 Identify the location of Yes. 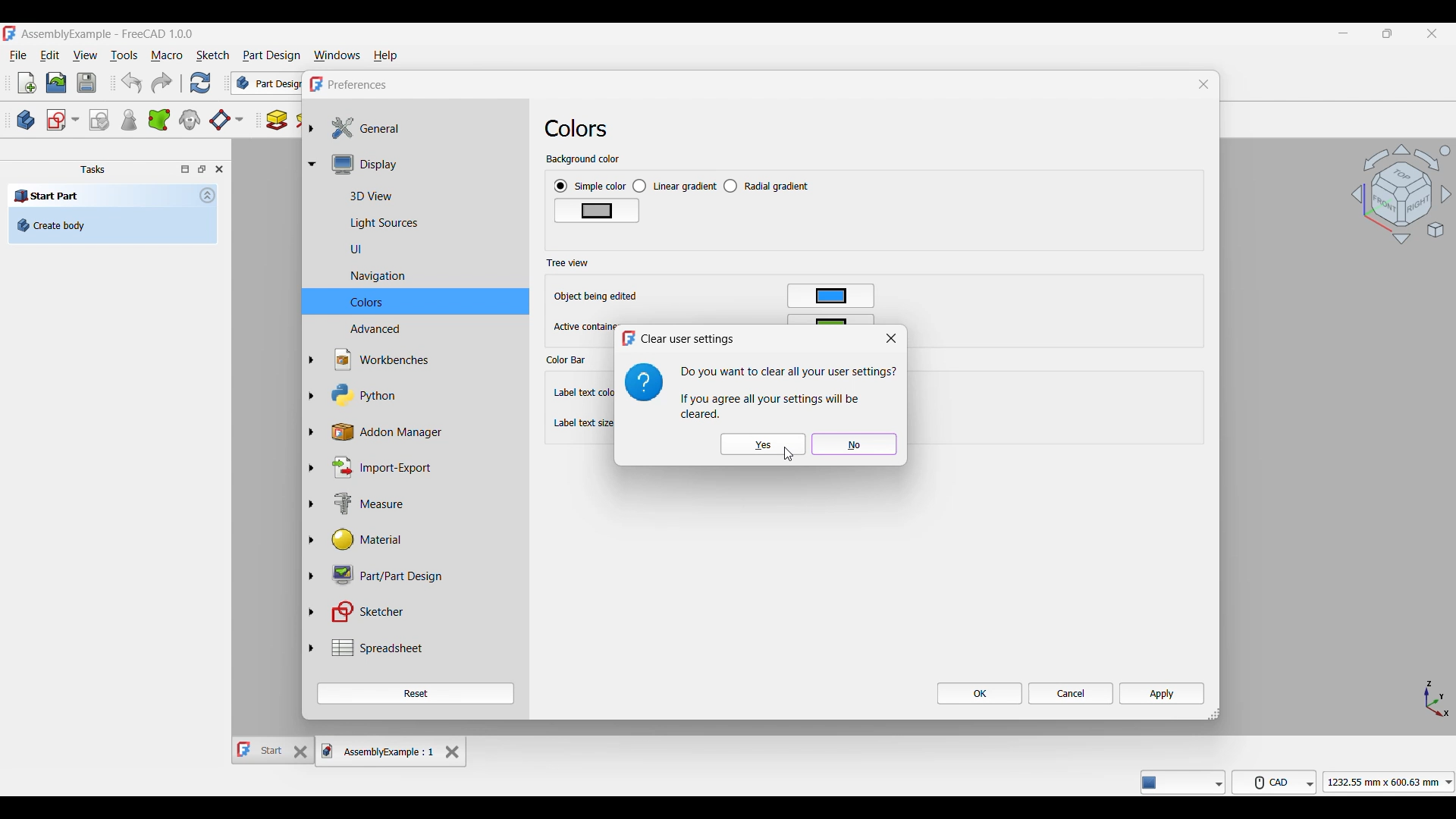
(764, 444).